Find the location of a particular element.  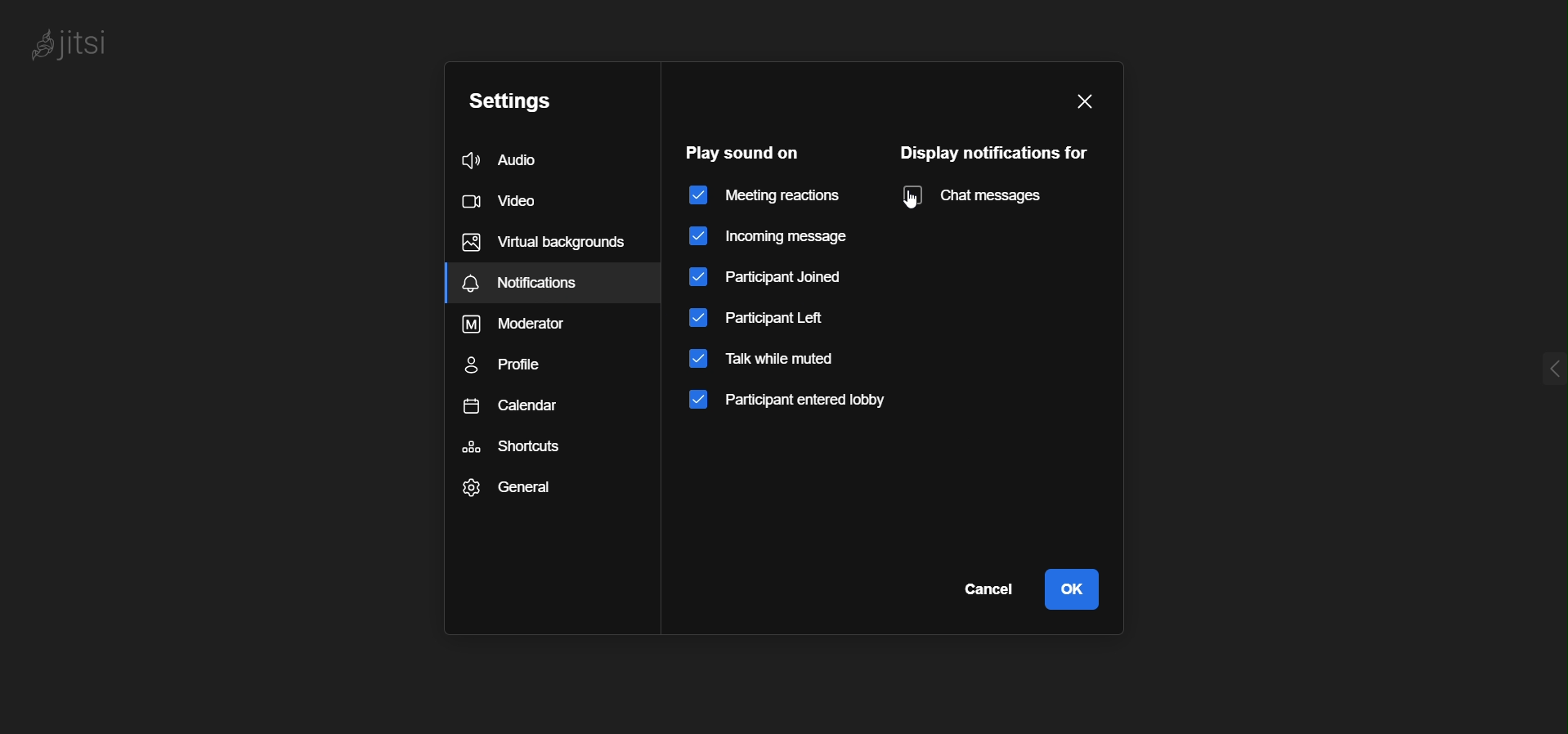

video is located at coordinates (508, 201).